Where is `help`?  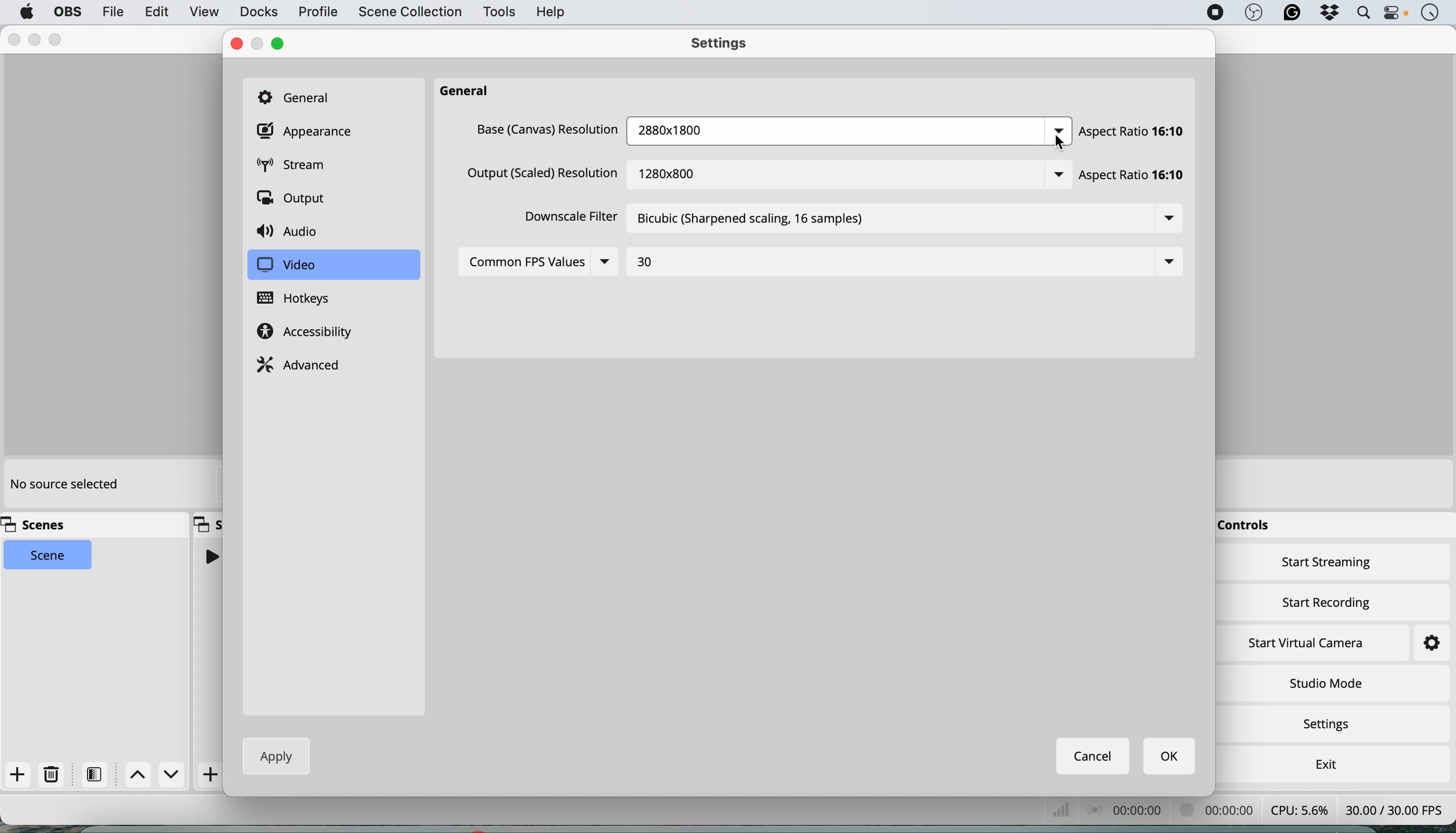 help is located at coordinates (552, 11).